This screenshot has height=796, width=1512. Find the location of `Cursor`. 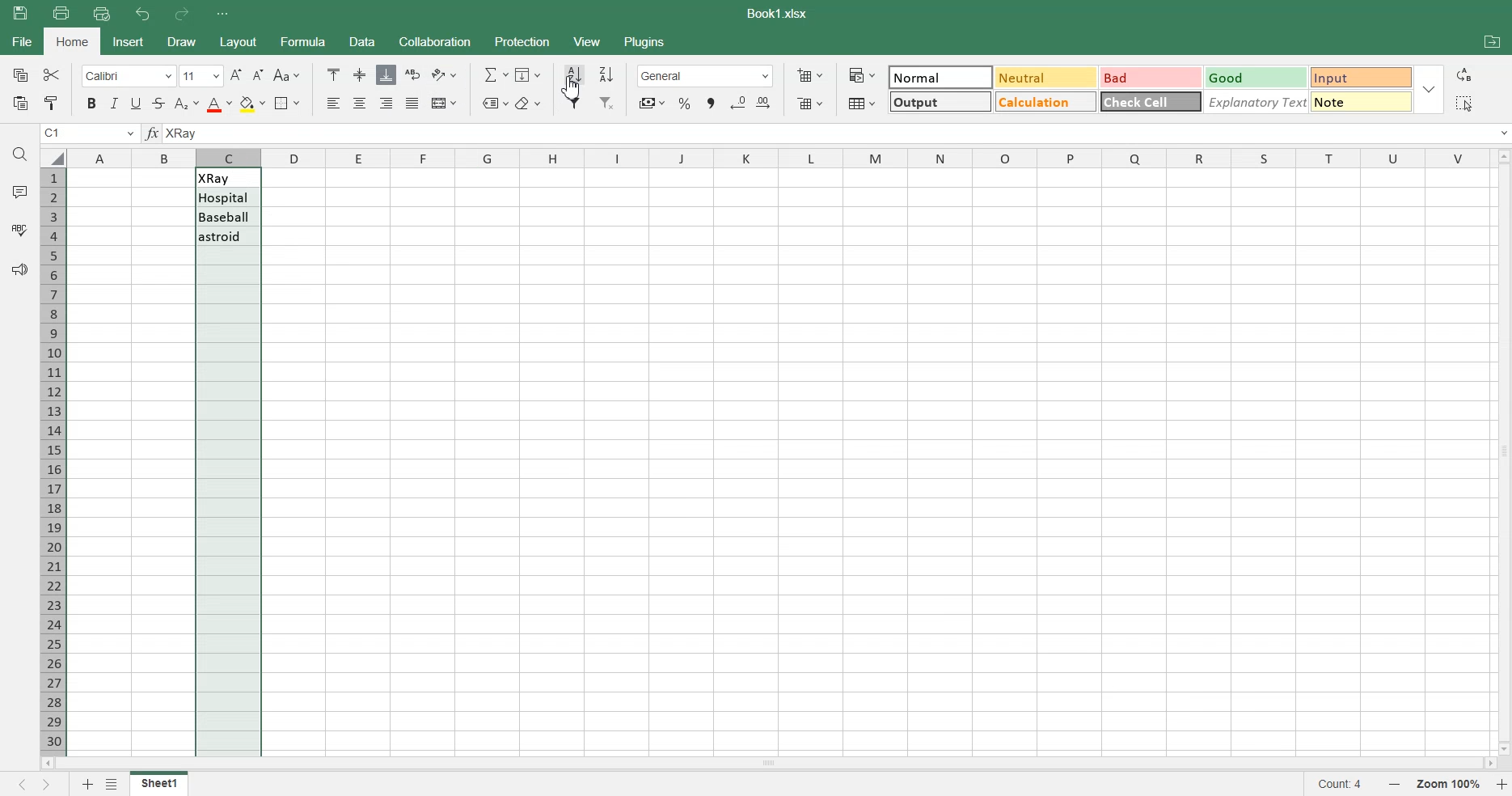

Cursor is located at coordinates (572, 87).